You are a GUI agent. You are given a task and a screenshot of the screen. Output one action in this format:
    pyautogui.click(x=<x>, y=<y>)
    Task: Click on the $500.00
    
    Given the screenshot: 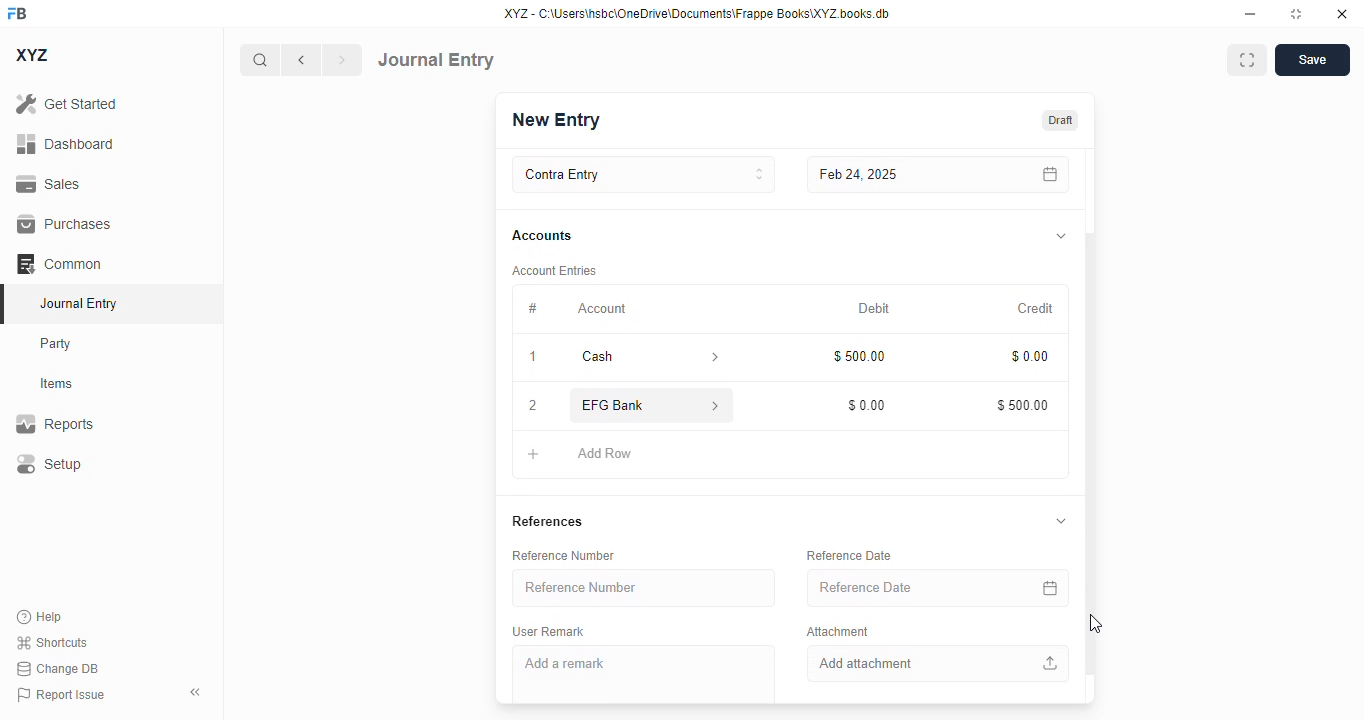 What is the action you would take?
    pyautogui.click(x=1021, y=403)
    